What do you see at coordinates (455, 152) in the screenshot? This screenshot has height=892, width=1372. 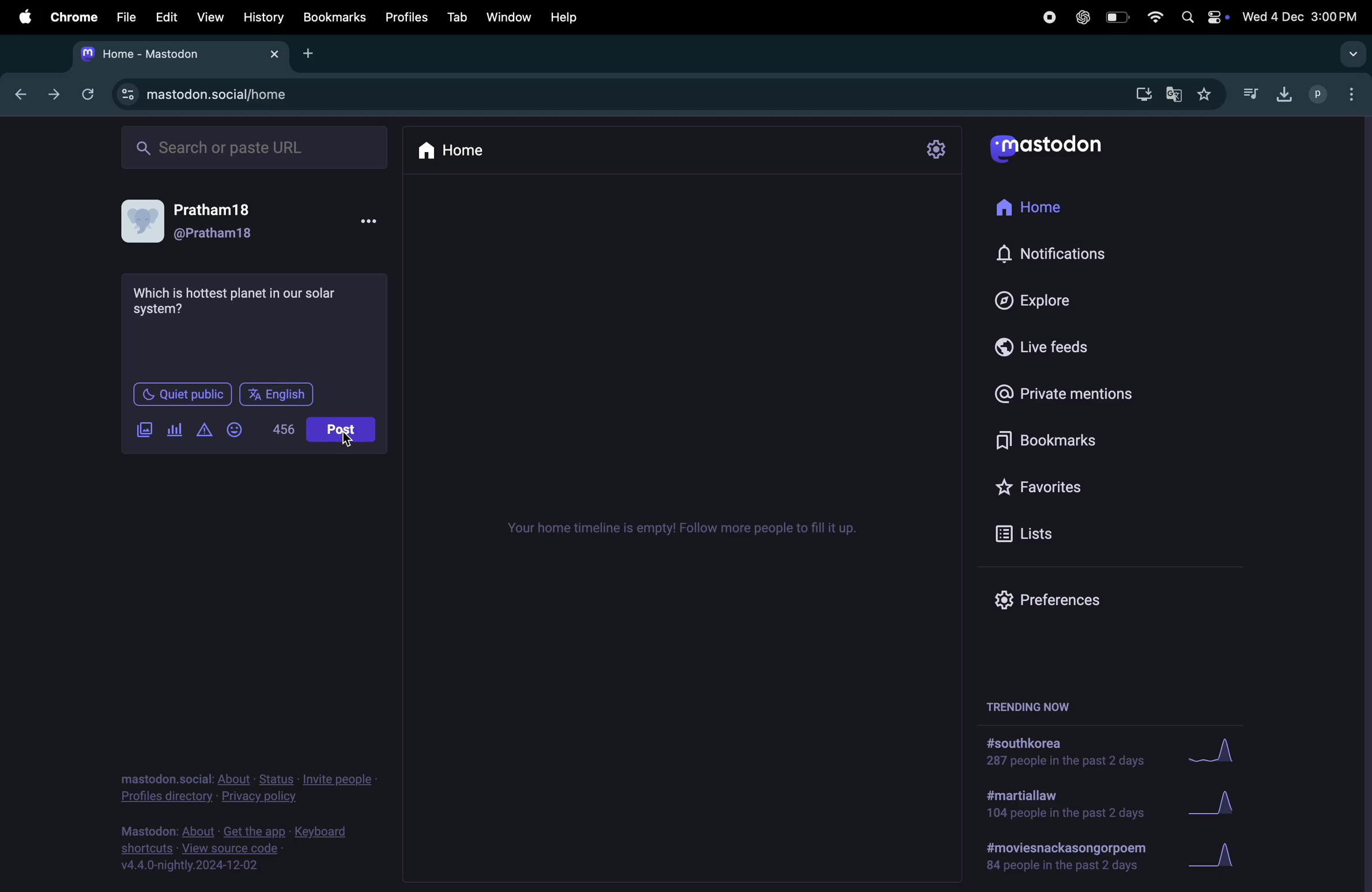 I see `home` at bounding box center [455, 152].